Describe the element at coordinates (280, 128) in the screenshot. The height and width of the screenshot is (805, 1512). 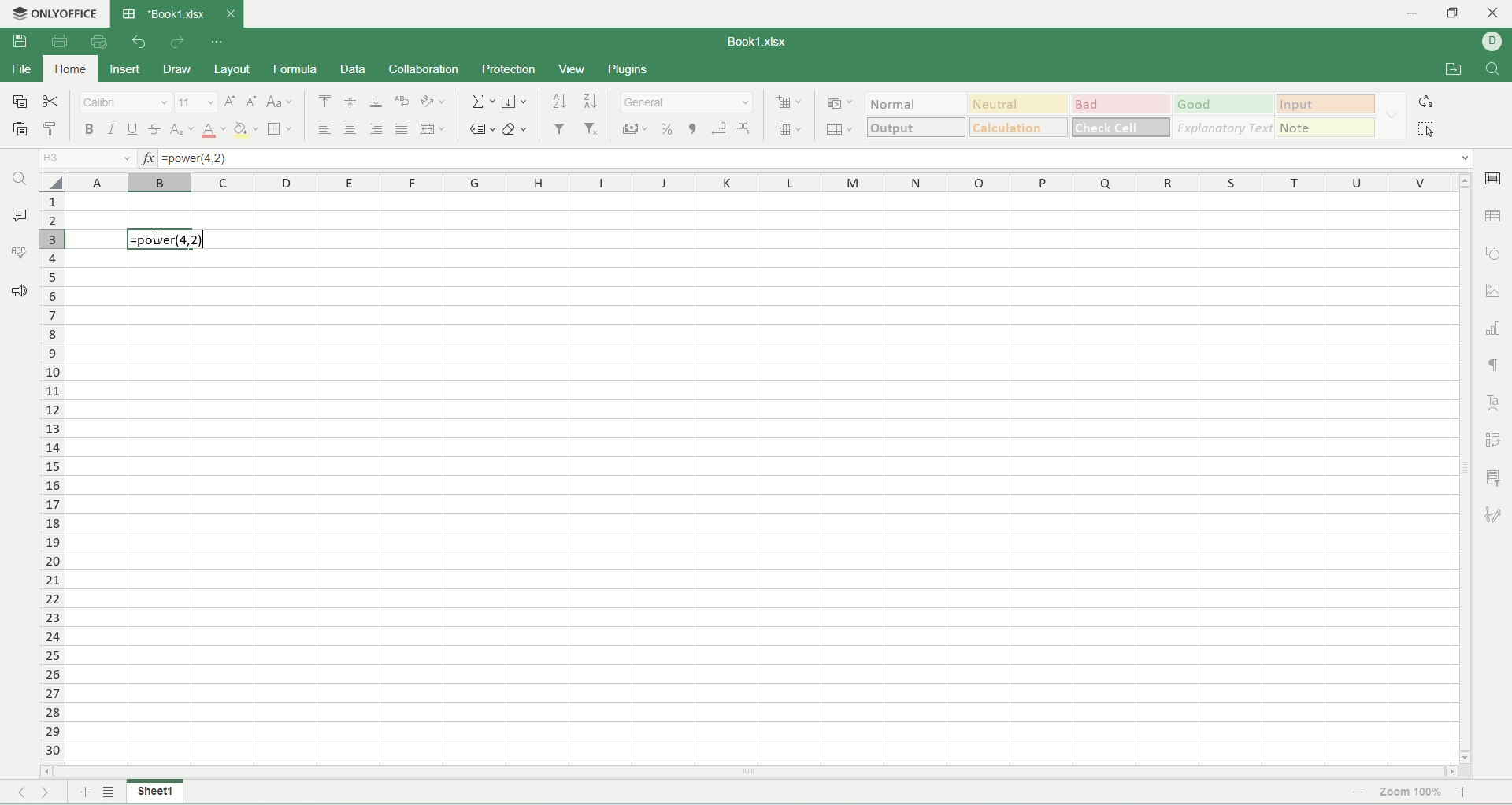
I see `borders` at that location.